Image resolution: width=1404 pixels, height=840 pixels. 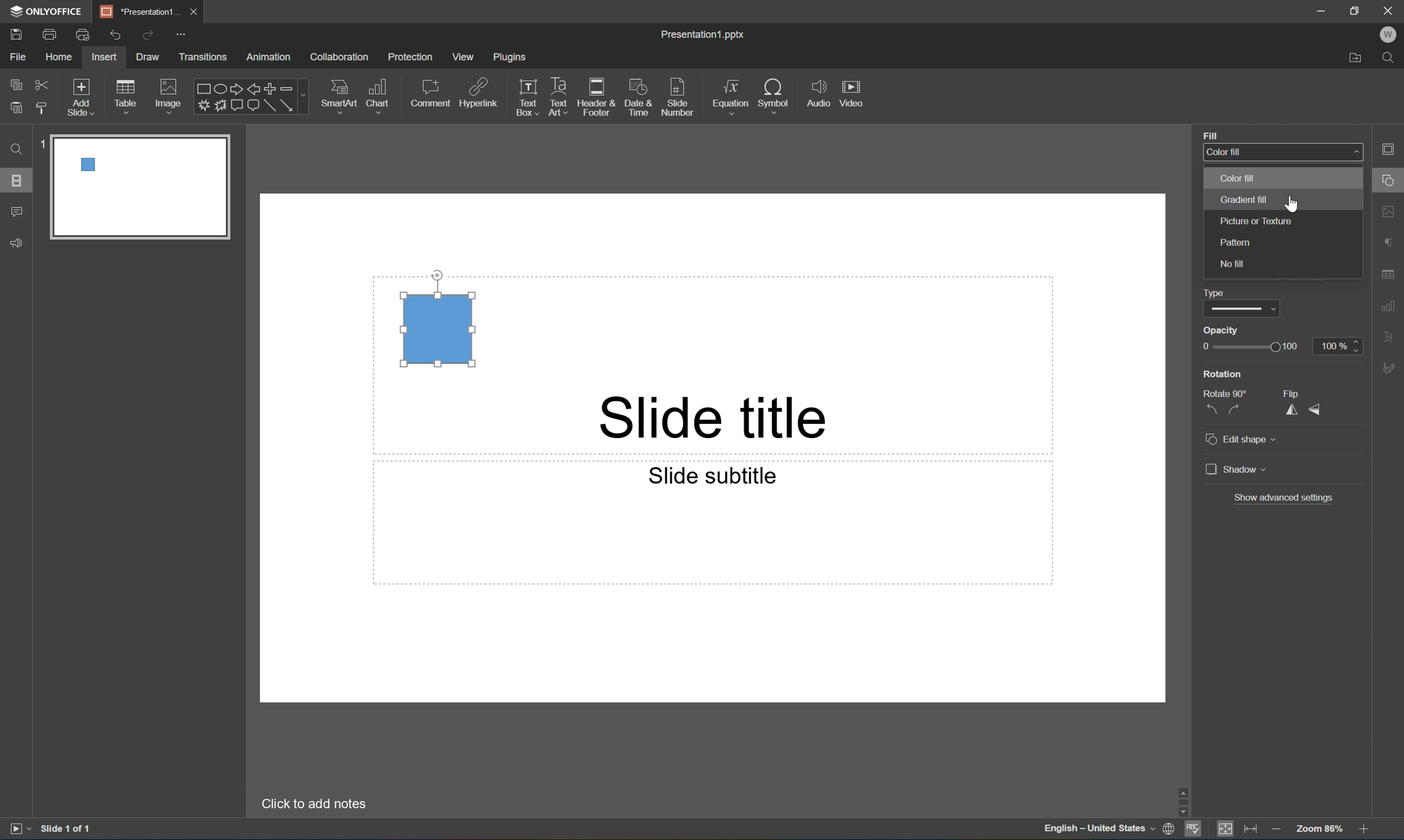 What do you see at coordinates (1224, 152) in the screenshot?
I see `Color fill` at bounding box center [1224, 152].